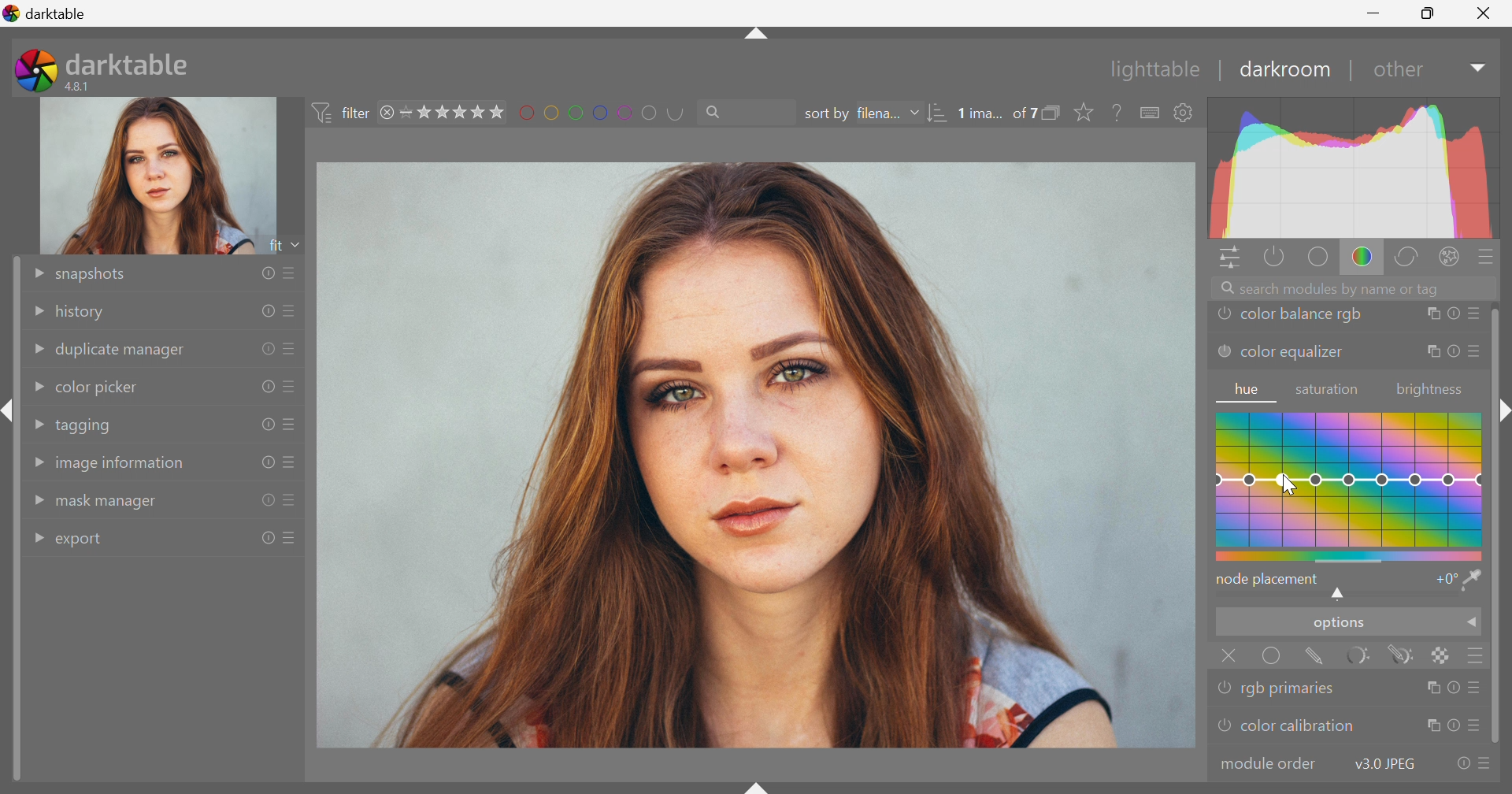  What do you see at coordinates (339, 110) in the screenshot?
I see `filter` at bounding box center [339, 110].